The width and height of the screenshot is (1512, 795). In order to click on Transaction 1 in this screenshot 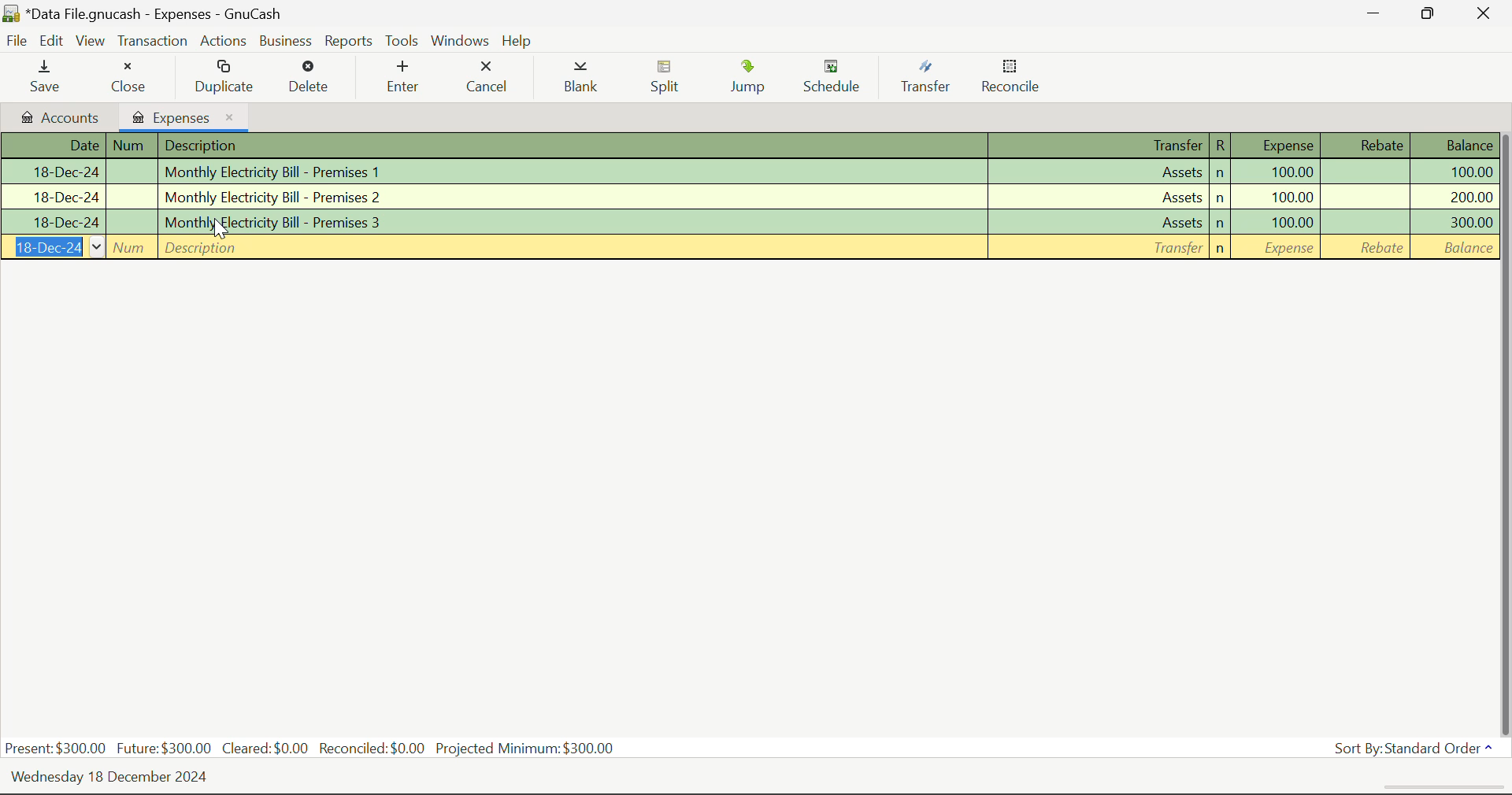, I will do `click(755, 172)`.